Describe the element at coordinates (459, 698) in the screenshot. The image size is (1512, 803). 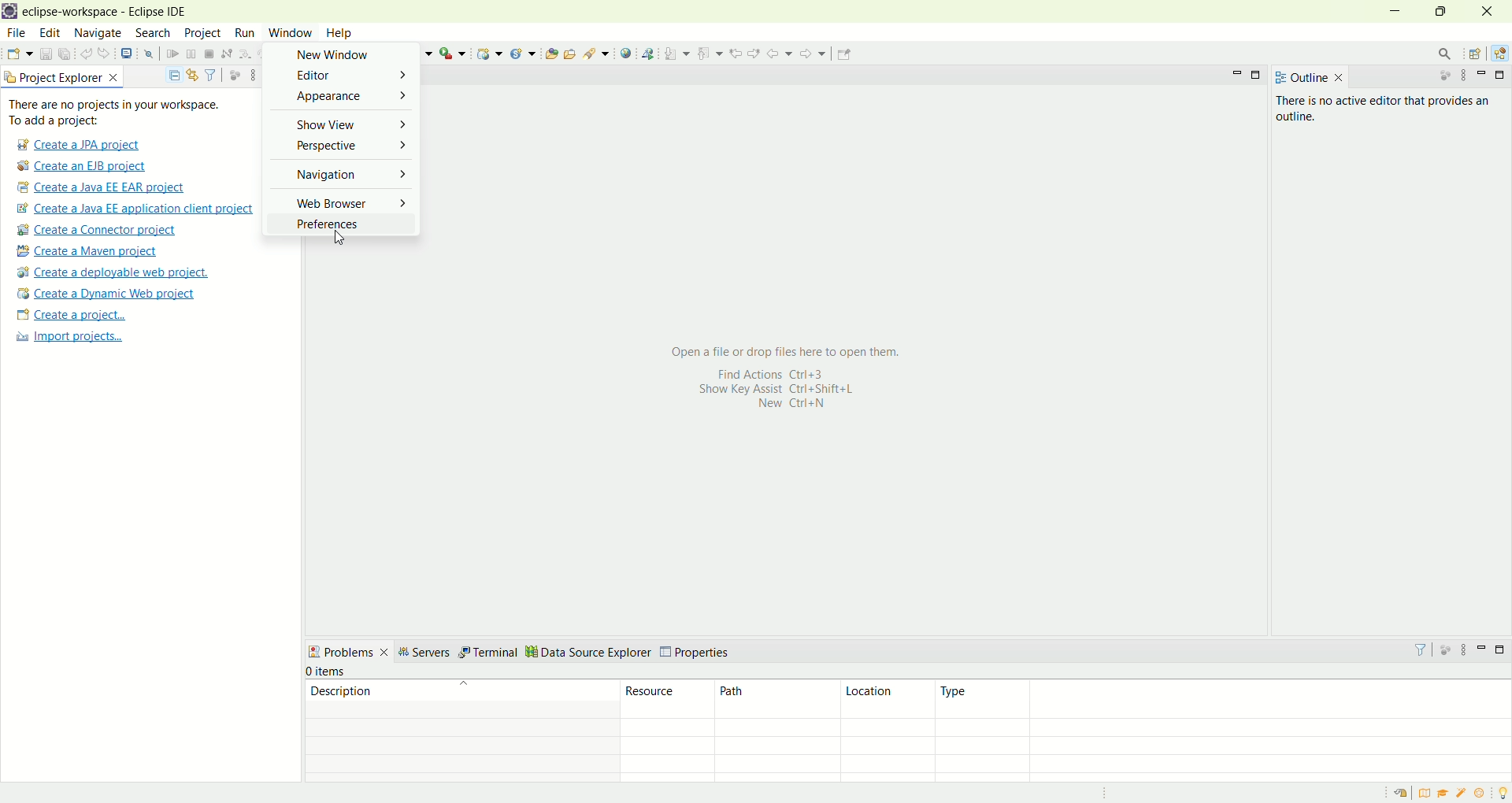
I see `description` at that location.